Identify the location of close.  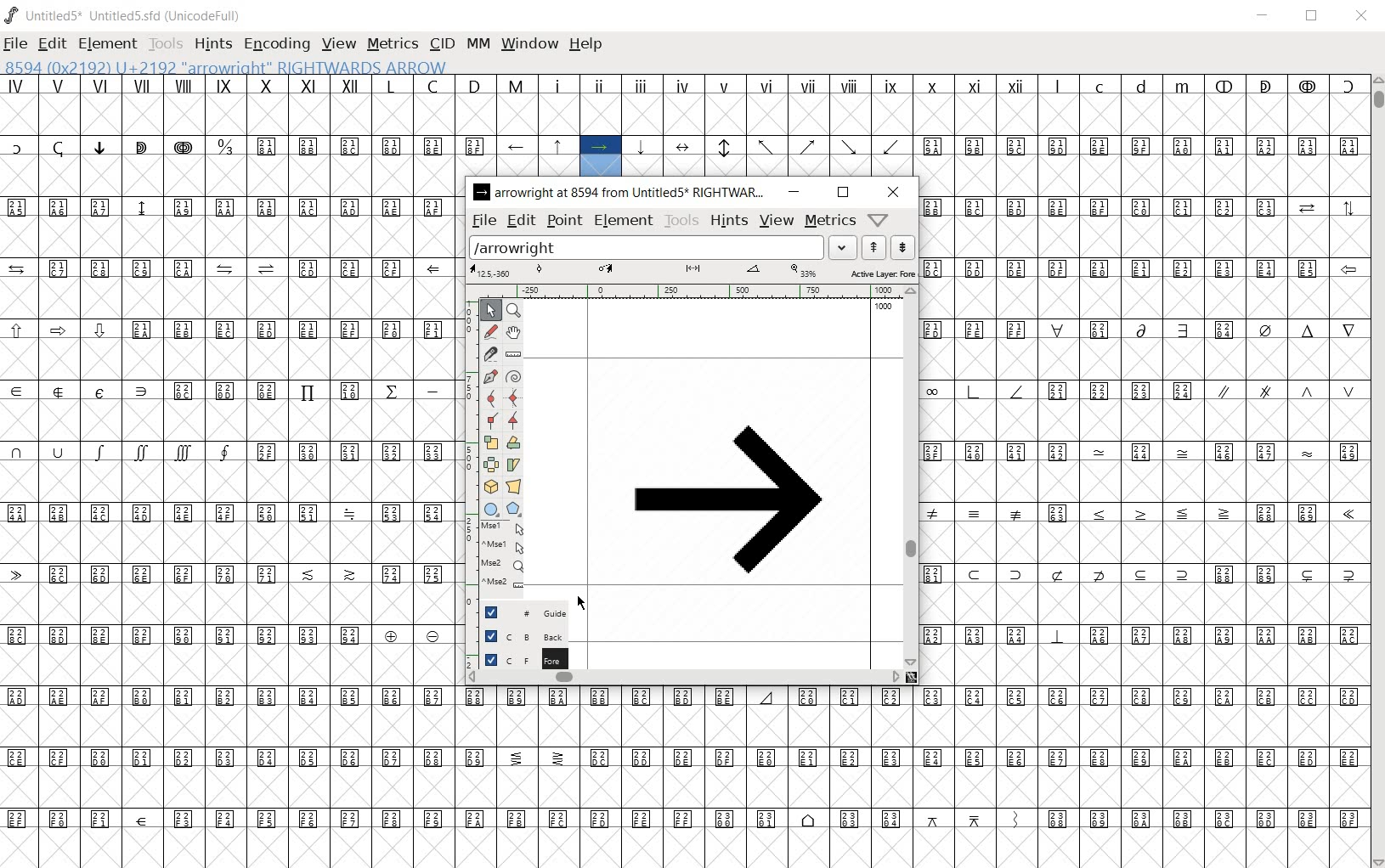
(894, 194).